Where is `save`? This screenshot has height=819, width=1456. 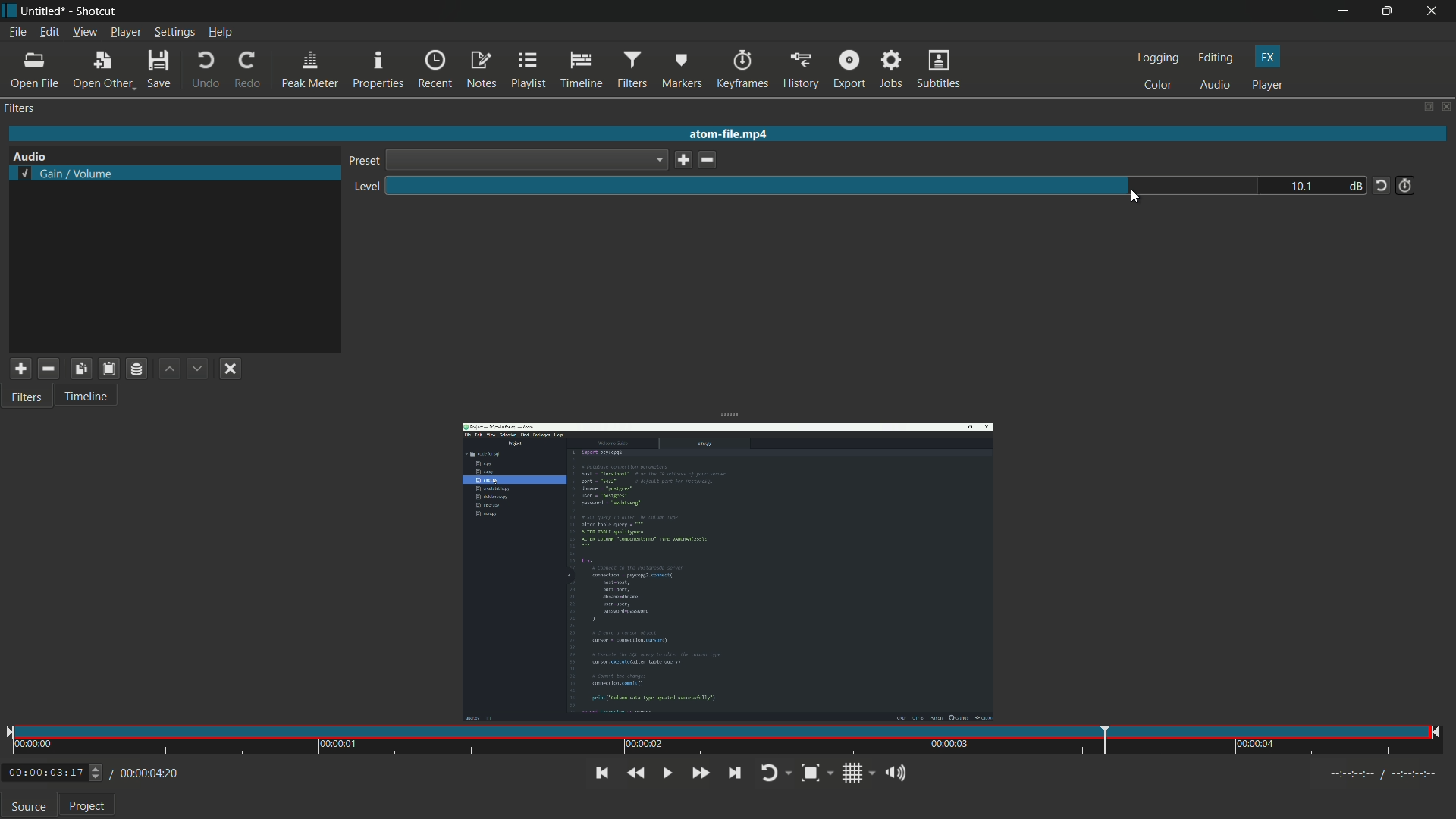
save is located at coordinates (681, 161).